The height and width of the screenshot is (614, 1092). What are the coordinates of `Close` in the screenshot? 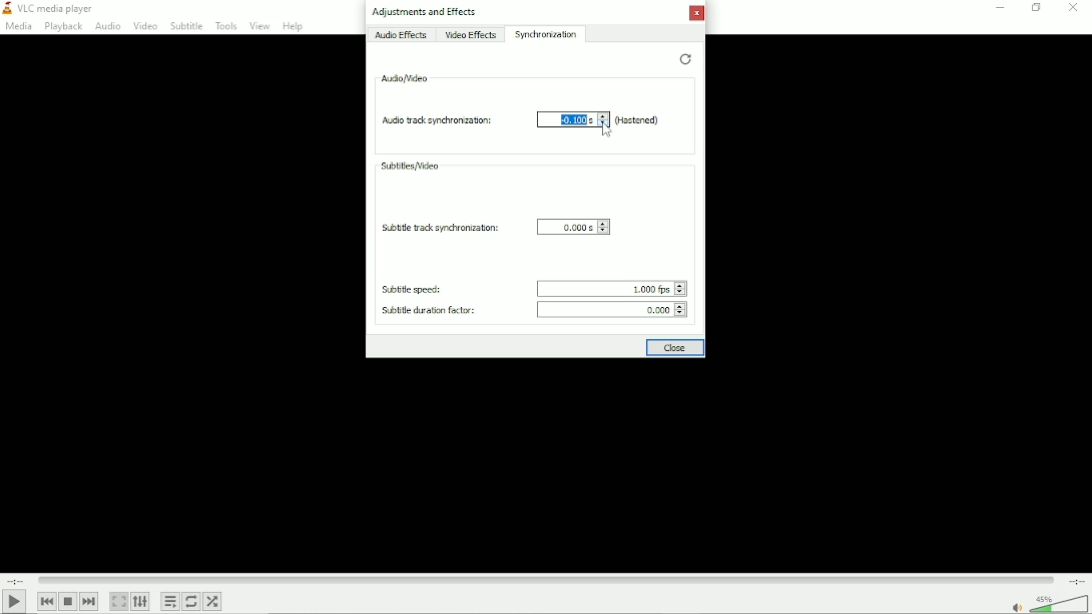 It's located at (674, 348).